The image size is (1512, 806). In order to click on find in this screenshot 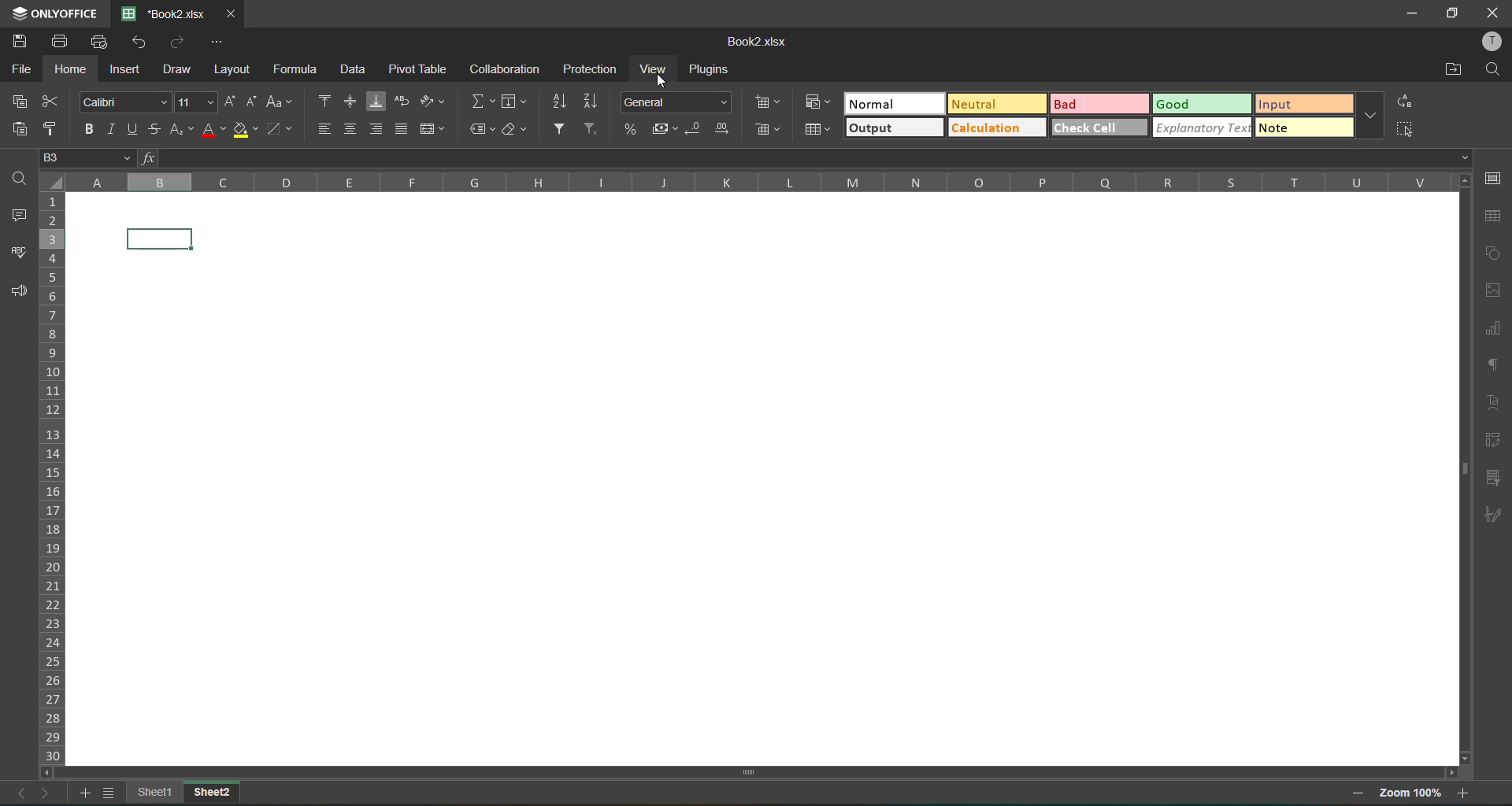, I will do `click(1496, 66)`.